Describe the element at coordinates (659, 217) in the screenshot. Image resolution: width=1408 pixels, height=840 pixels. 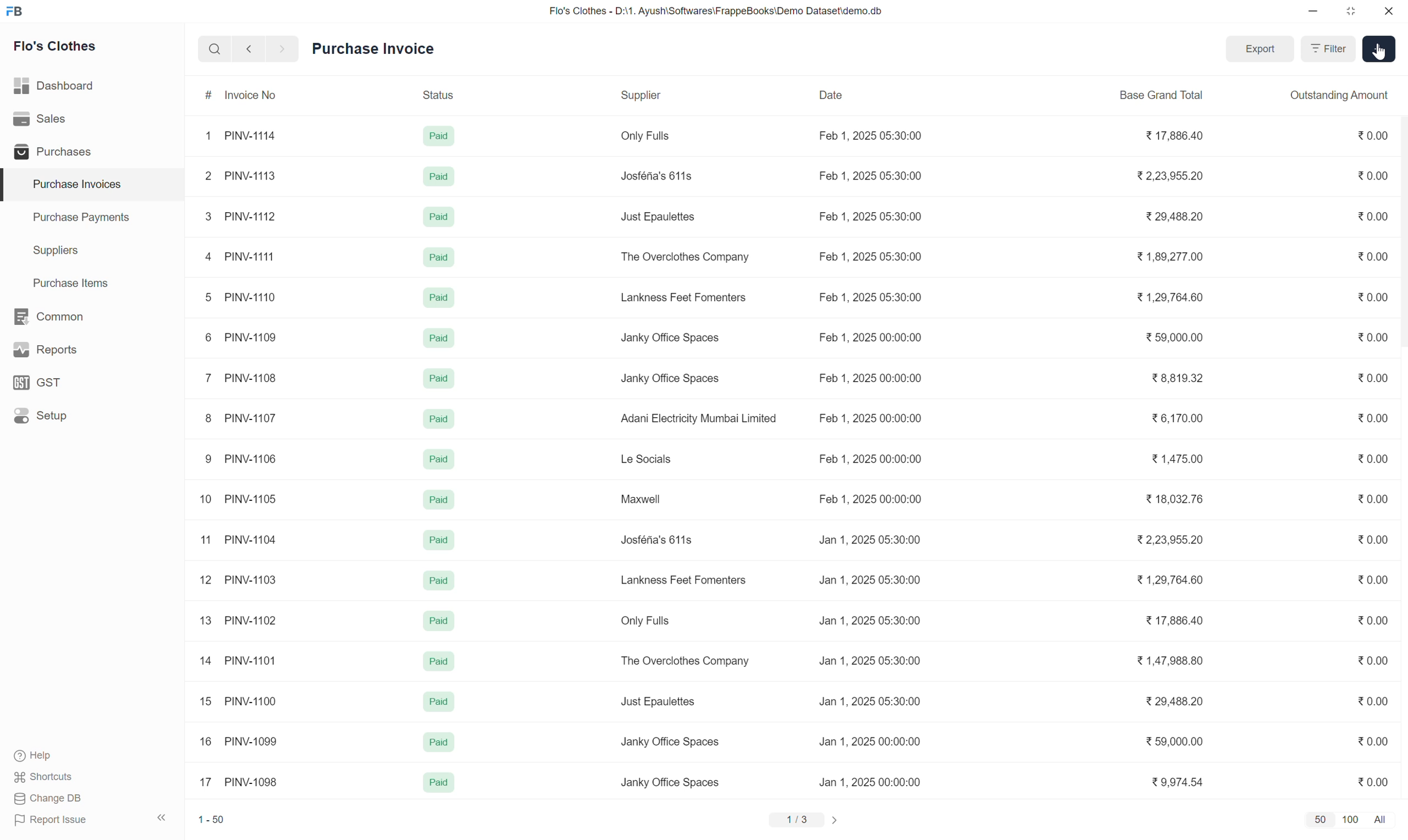
I see `Just Epaulettes` at that location.